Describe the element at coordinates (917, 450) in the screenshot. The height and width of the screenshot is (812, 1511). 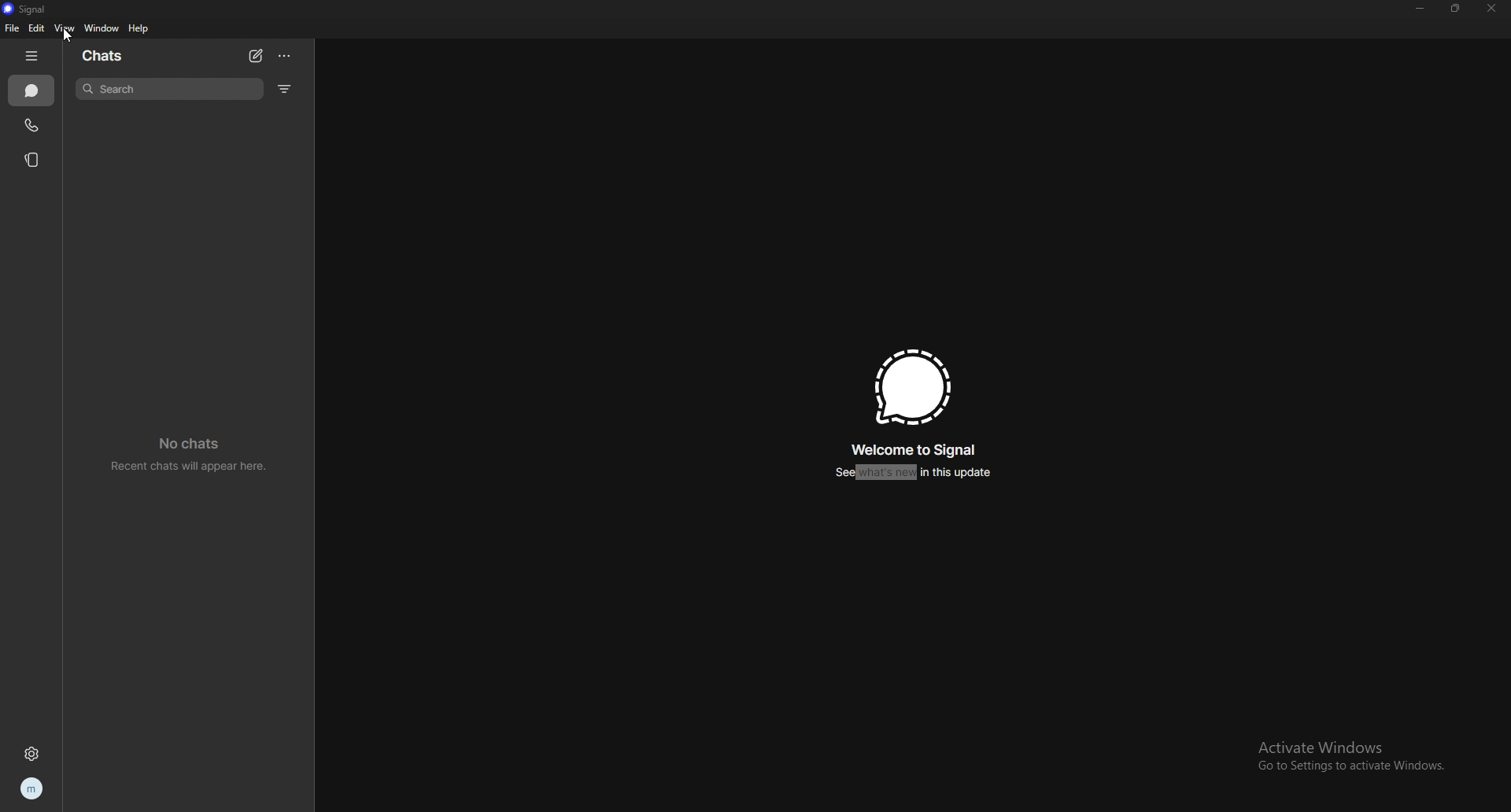
I see `welcome to signal` at that location.